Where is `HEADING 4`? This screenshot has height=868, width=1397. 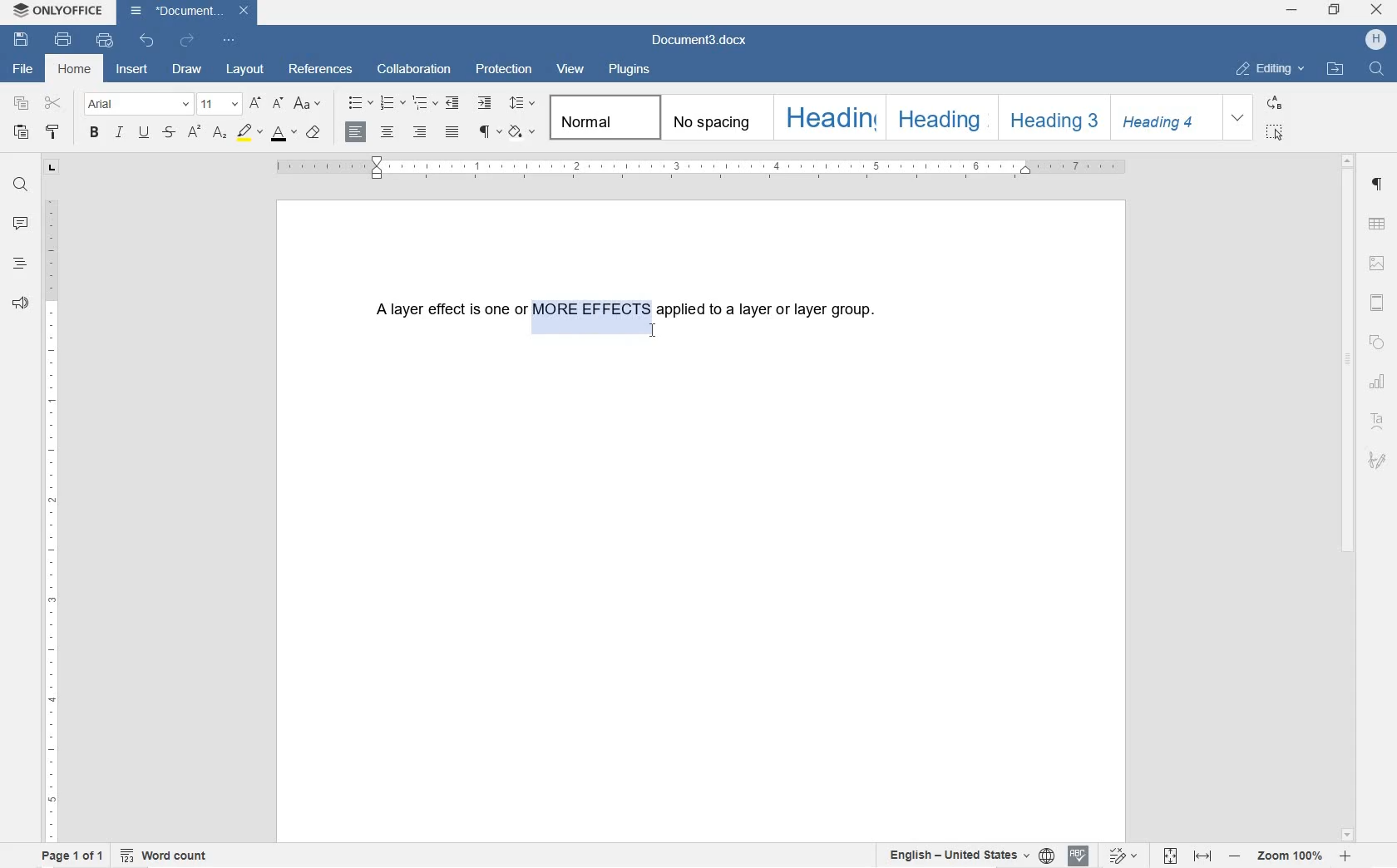 HEADING 4 is located at coordinates (1165, 118).